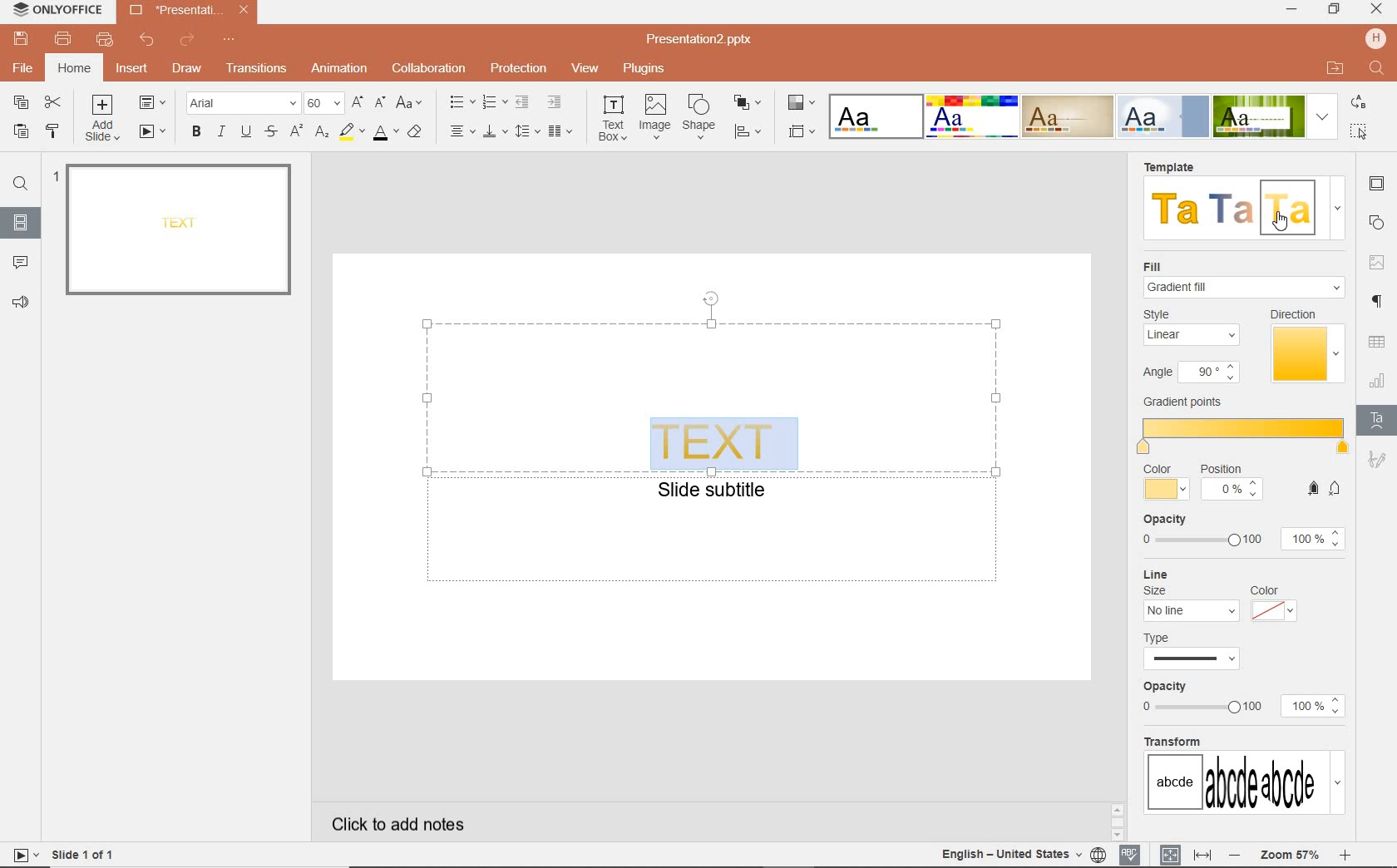  Describe the element at coordinates (1291, 10) in the screenshot. I see `minimize` at that location.